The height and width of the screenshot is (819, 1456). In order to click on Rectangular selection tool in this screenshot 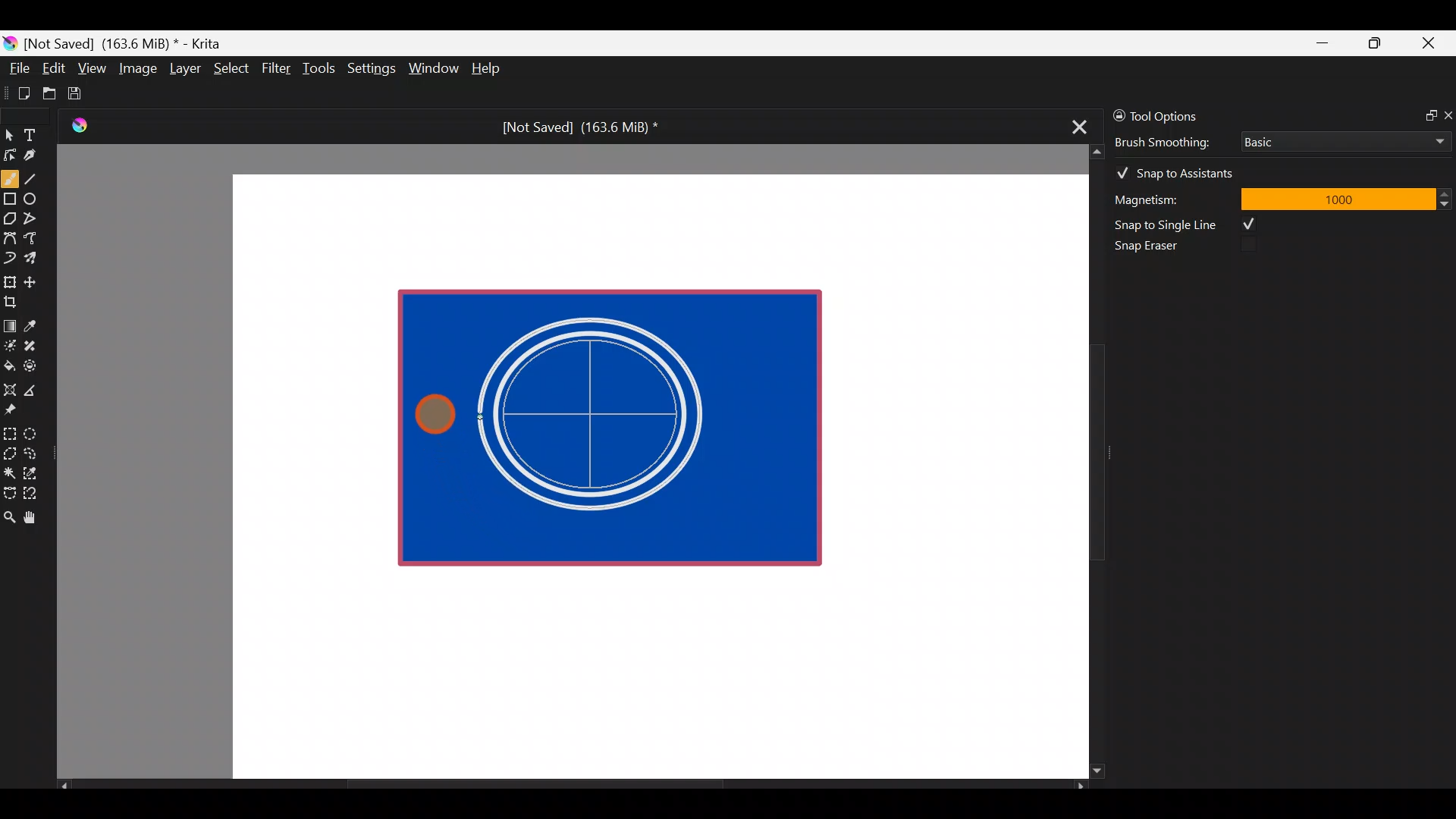, I will do `click(13, 431)`.